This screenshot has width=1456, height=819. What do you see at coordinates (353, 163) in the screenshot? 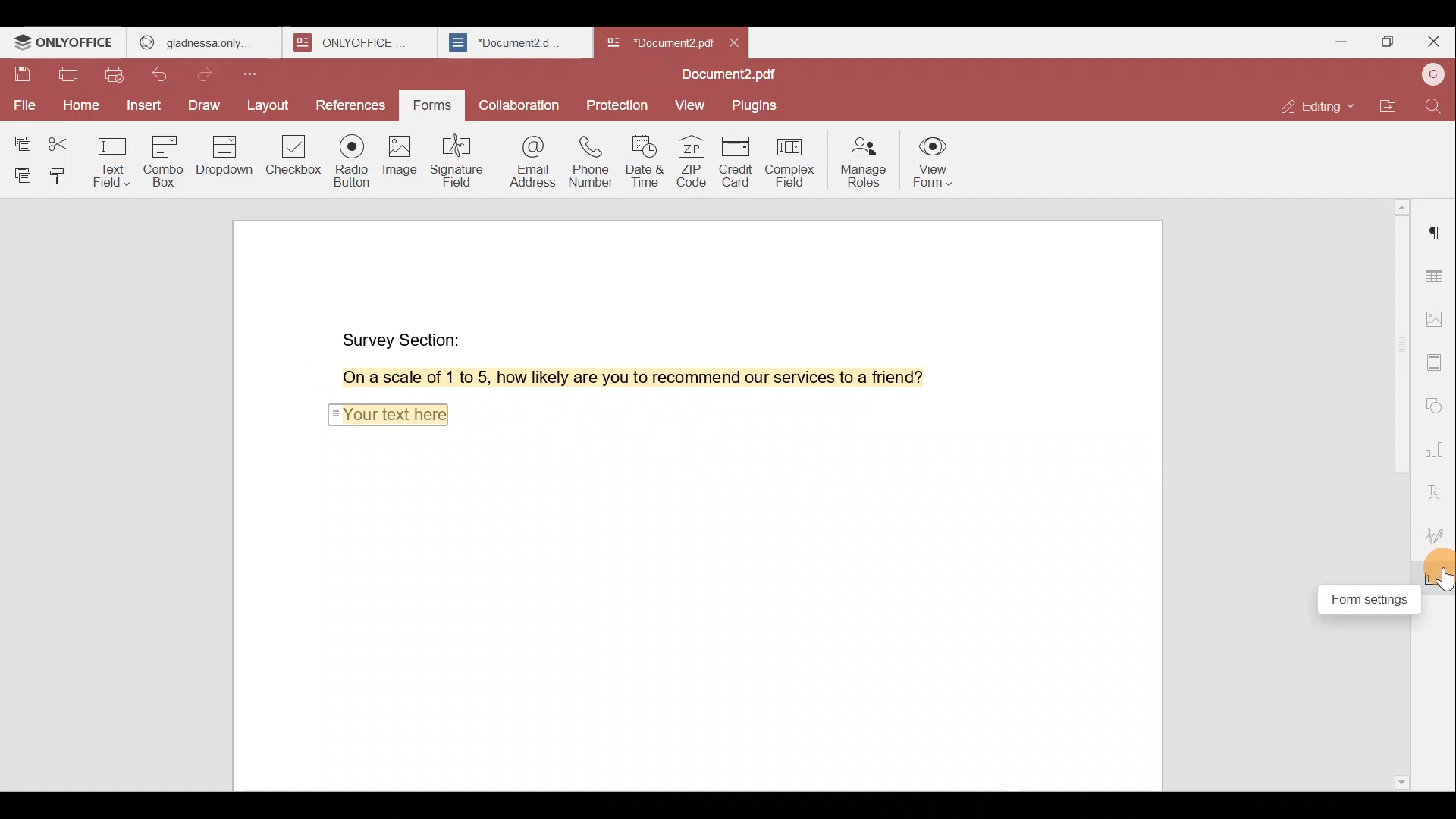
I see `Radio` at bounding box center [353, 163].